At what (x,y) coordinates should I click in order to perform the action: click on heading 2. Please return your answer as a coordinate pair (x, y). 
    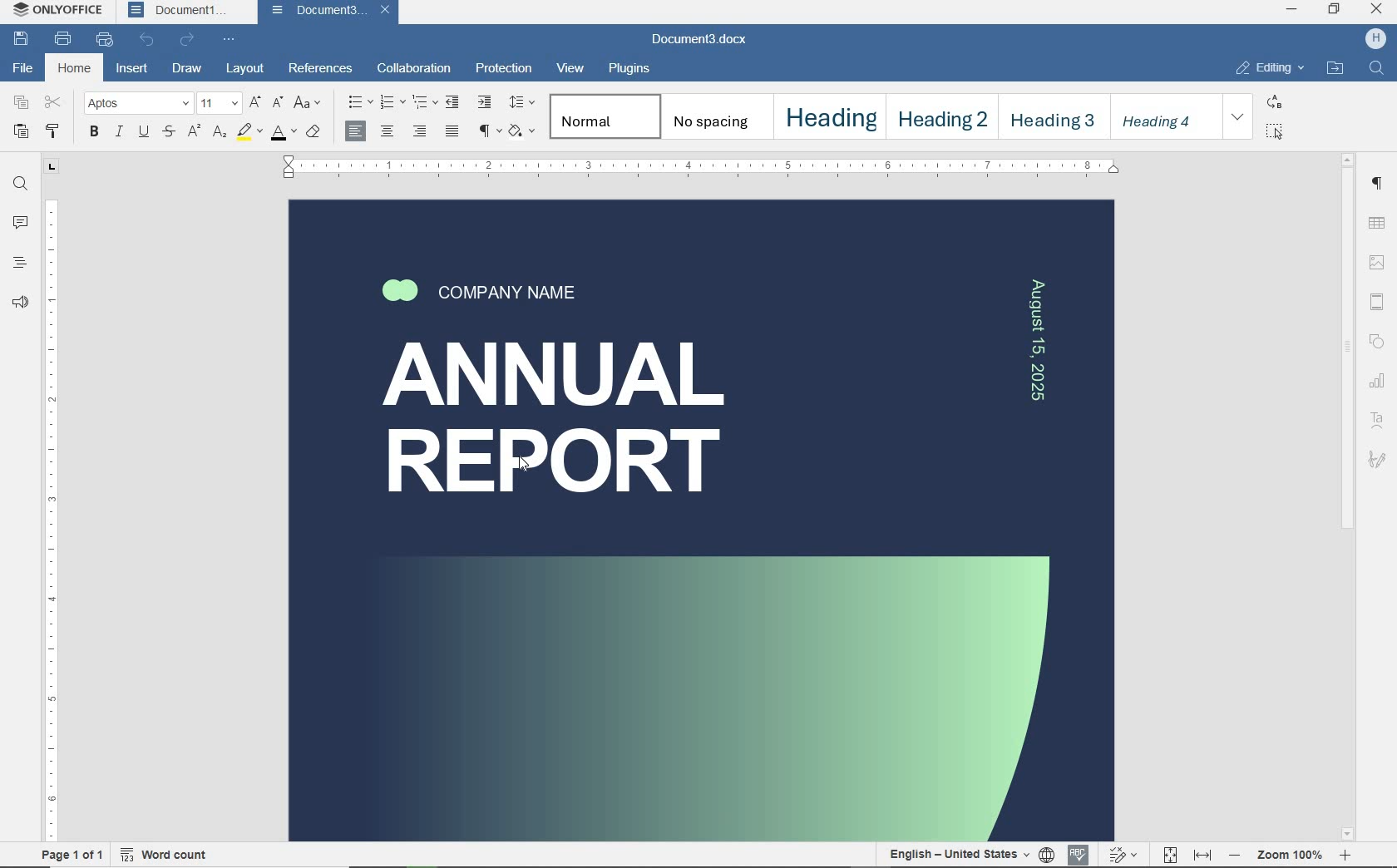
    Looking at the image, I should click on (940, 115).